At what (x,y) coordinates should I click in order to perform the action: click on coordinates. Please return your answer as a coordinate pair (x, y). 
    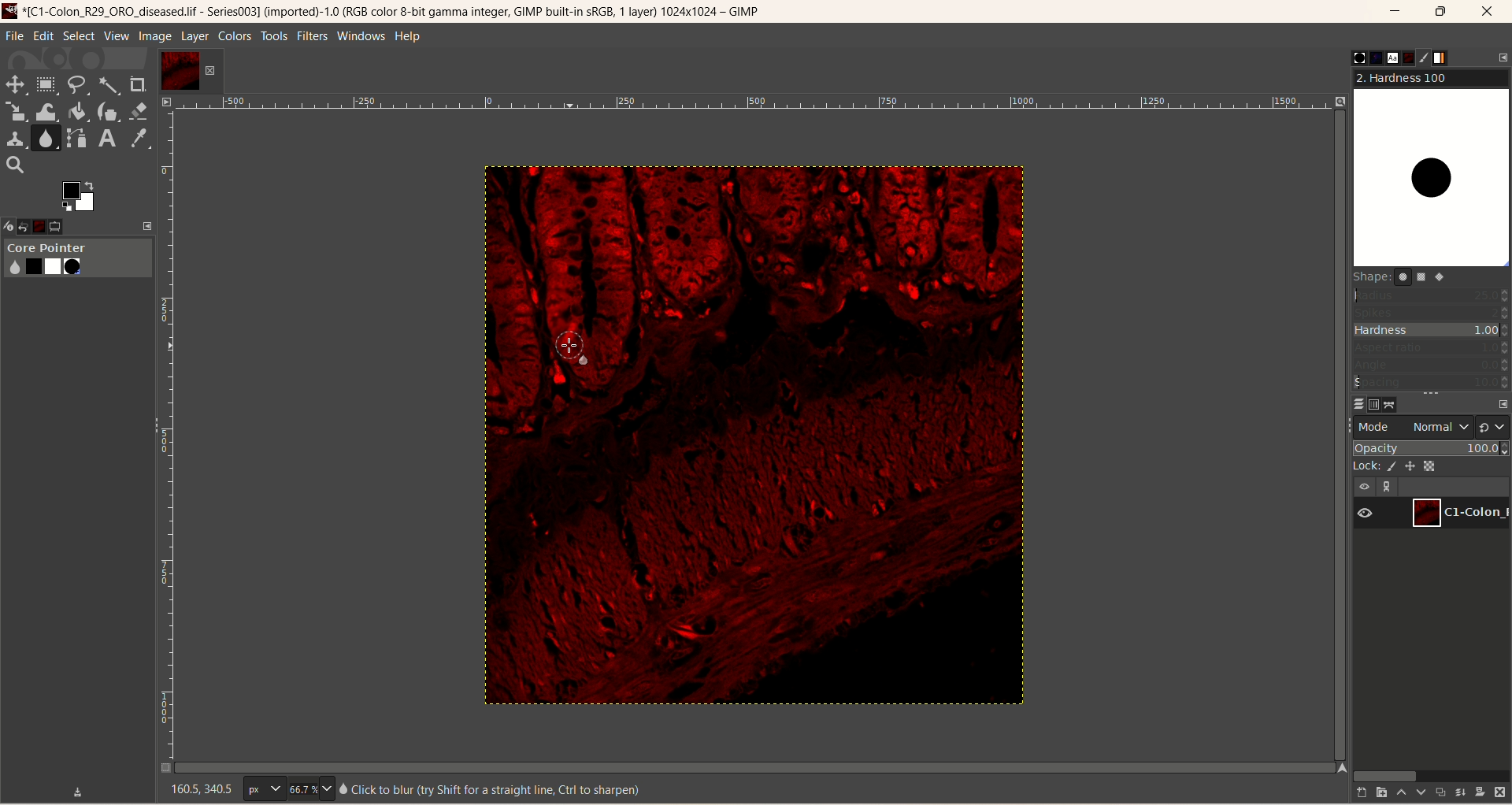
    Looking at the image, I should click on (192, 789).